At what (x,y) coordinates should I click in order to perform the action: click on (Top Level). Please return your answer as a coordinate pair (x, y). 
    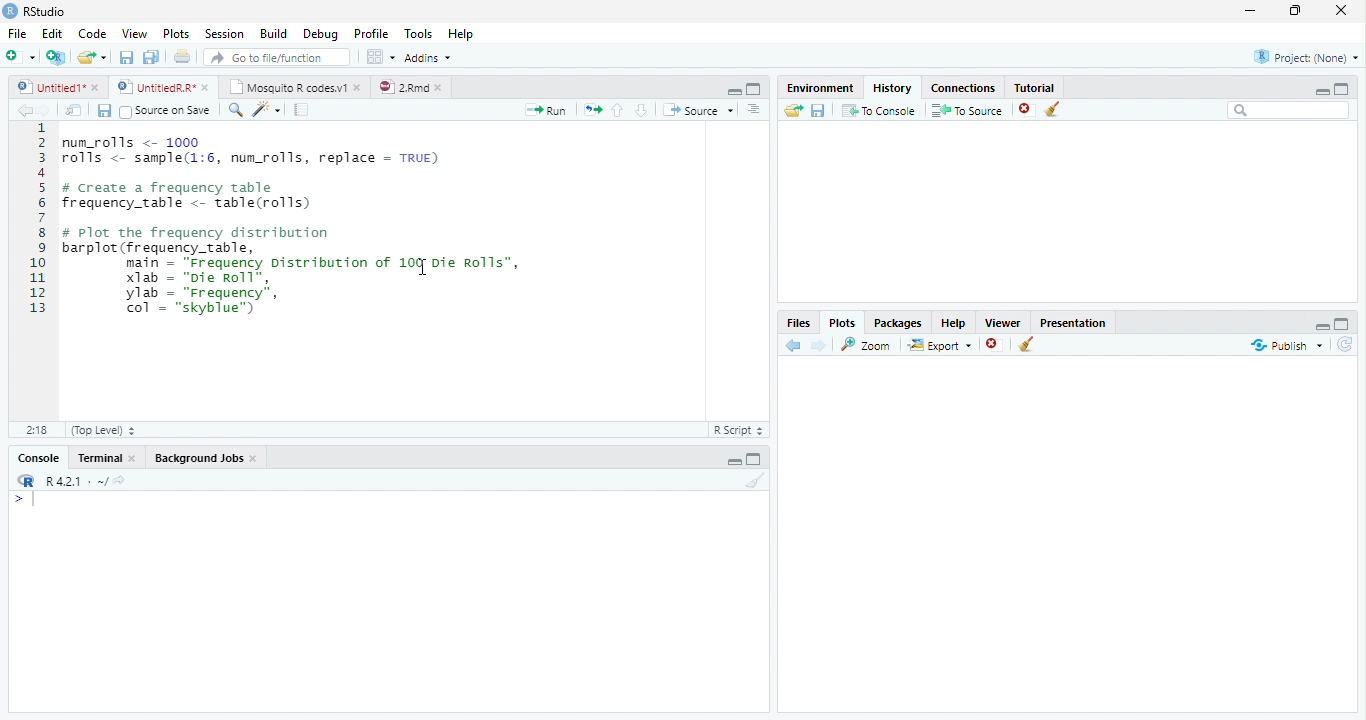
    Looking at the image, I should click on (103, 430).